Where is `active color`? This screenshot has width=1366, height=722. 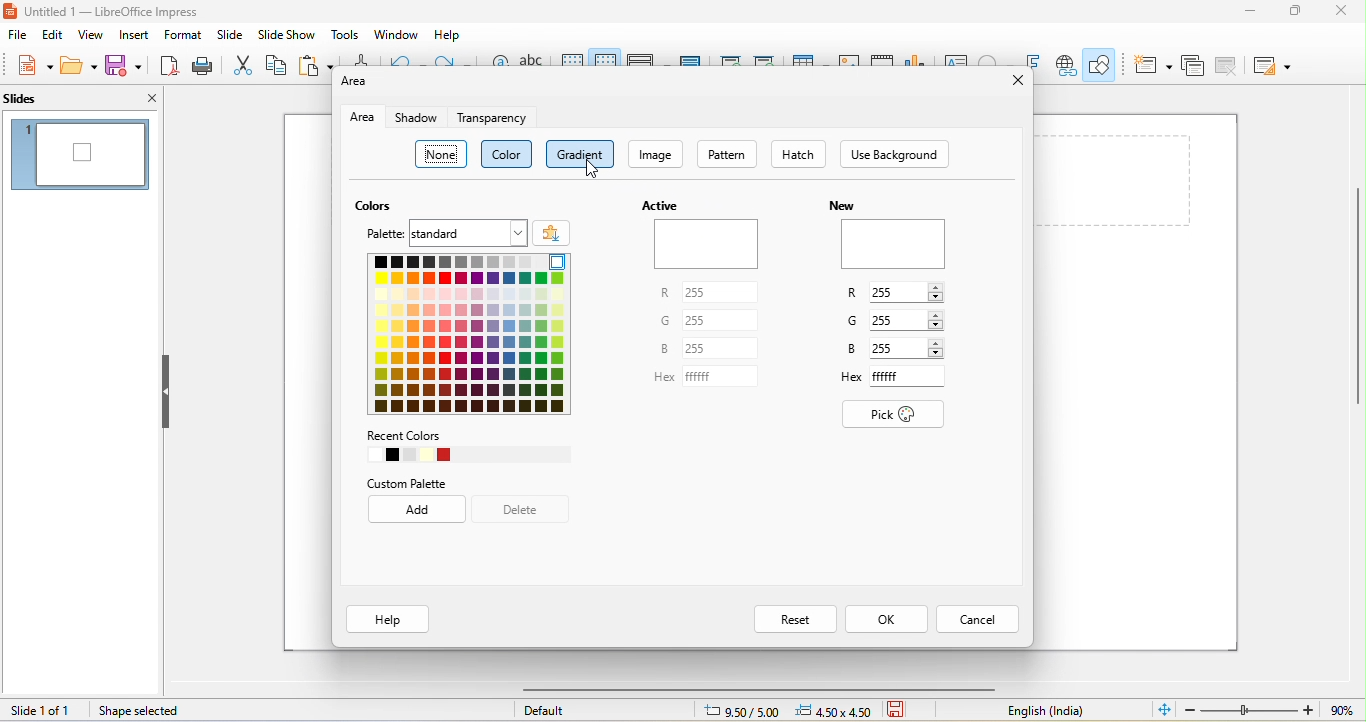 active color is located at coordinates (711, 245).